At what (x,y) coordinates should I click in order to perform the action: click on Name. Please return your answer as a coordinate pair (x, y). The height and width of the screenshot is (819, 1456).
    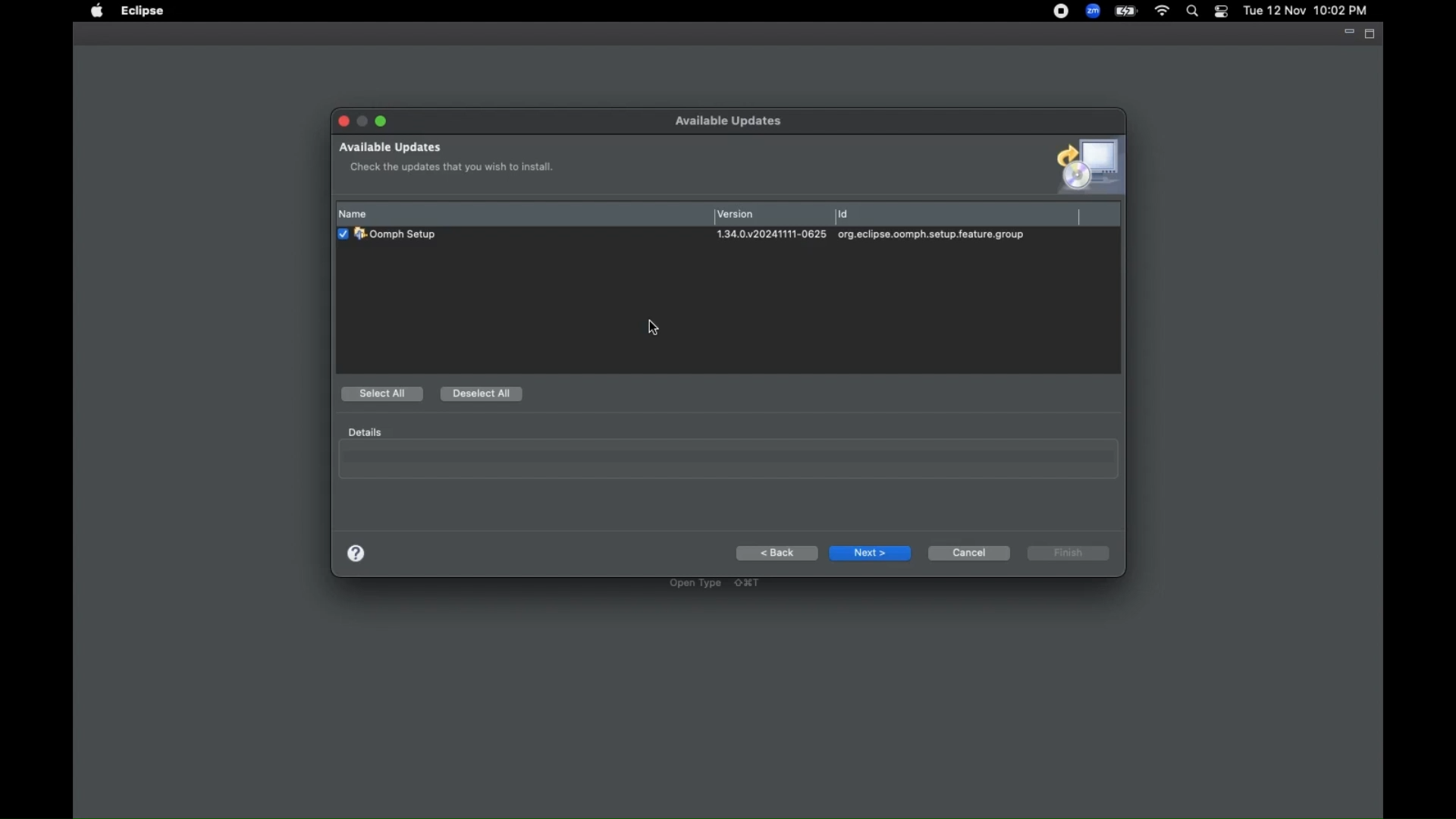
    Looking at the image, I should click on (522, 214).